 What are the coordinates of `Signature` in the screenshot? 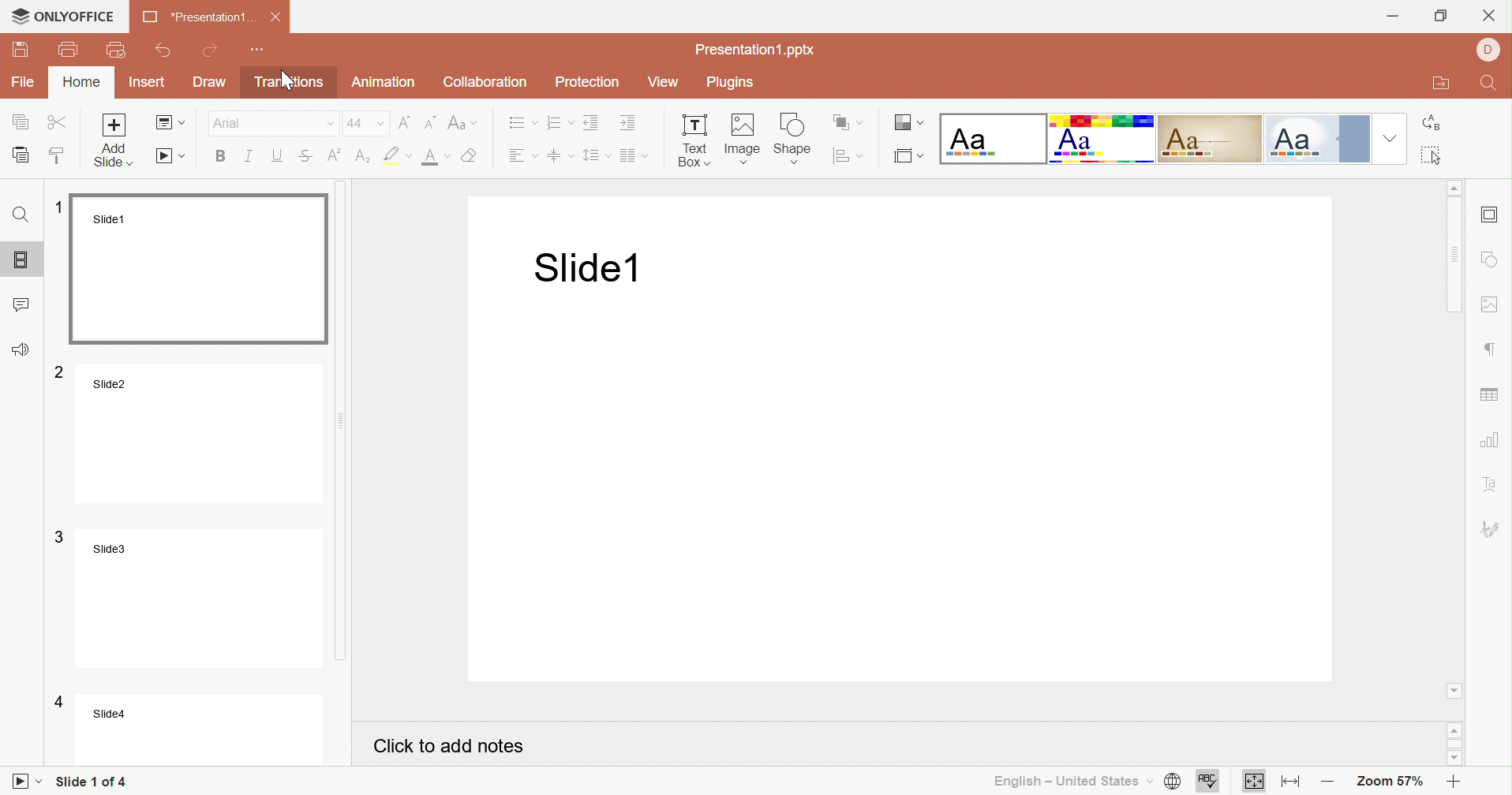 It's located at (1492, 529).